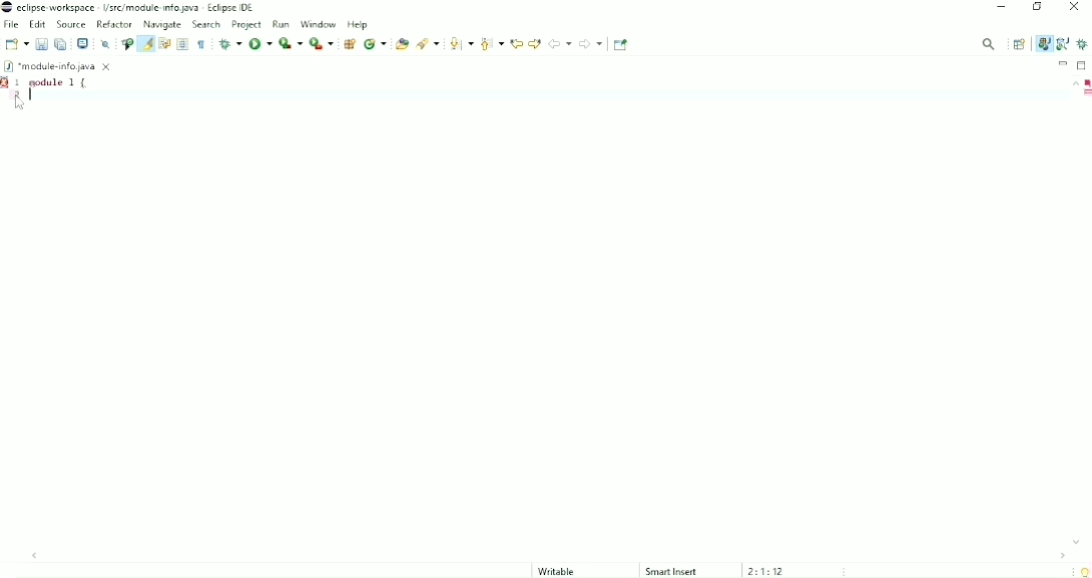 This screenshot has height=578, width=1092. I want to click on Markers, so click(7, 82).